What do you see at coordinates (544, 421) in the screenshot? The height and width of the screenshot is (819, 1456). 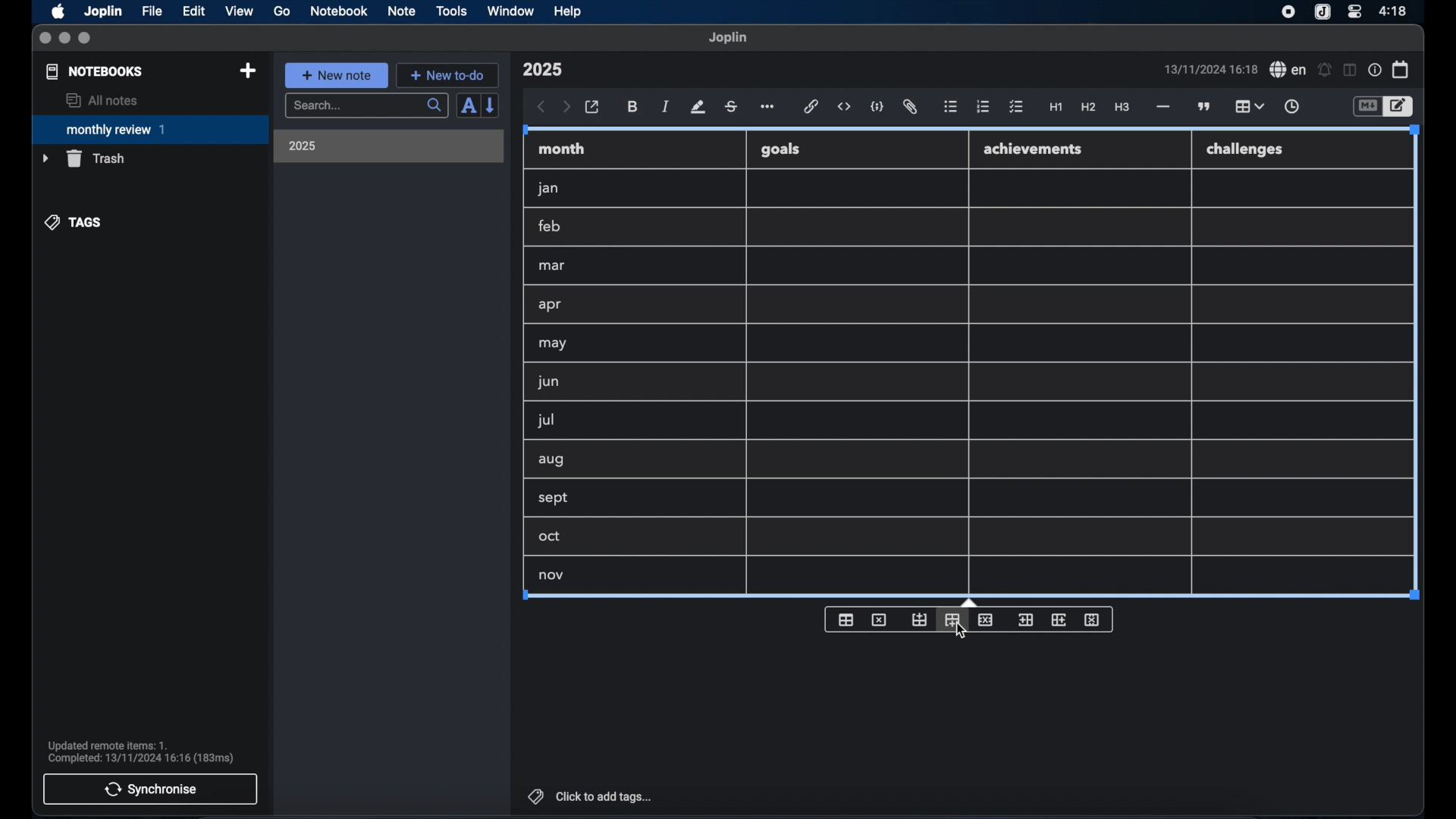 I see `jul` at bounding box center [544, 421].